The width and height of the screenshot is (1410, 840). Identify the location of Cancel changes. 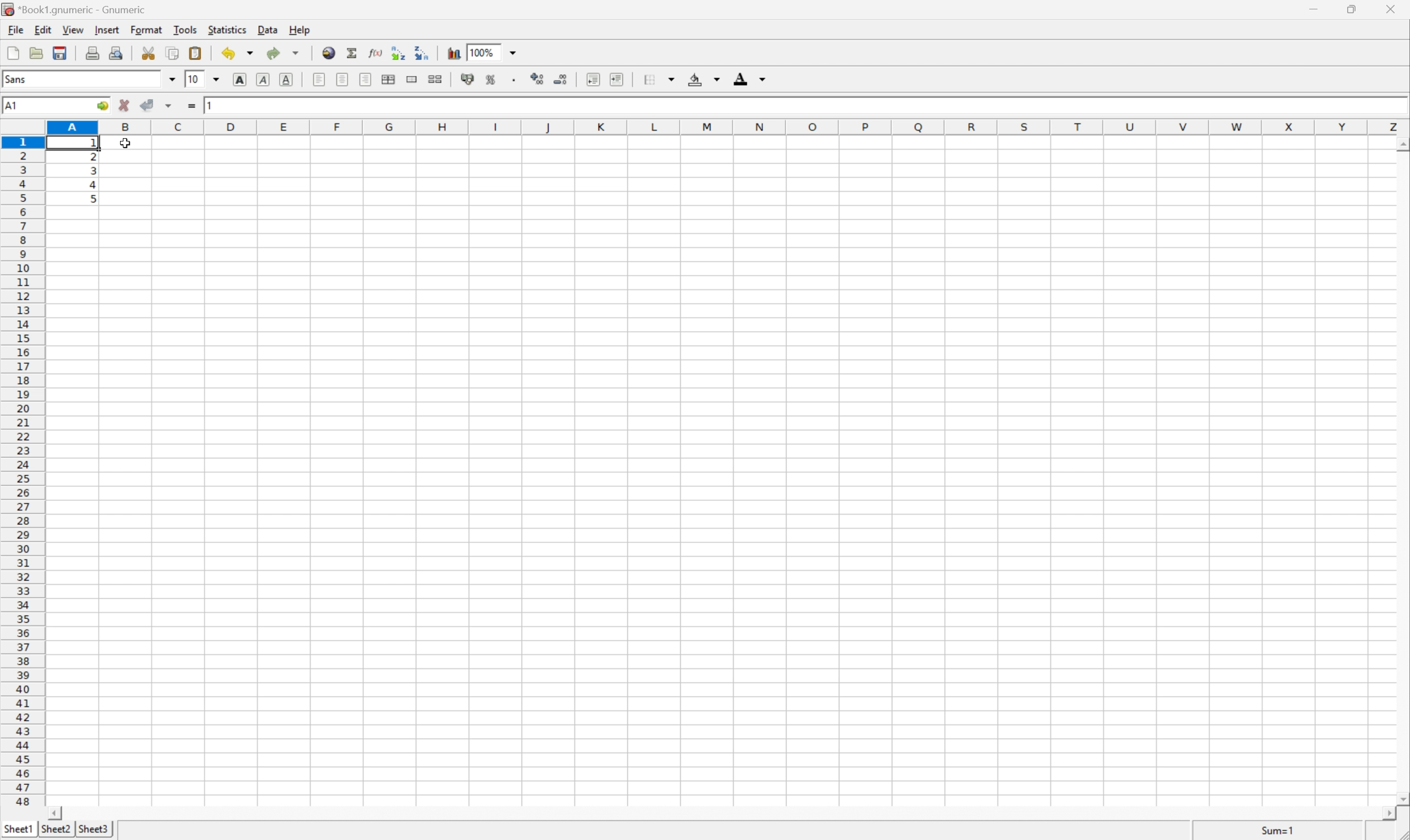
(122, 104).